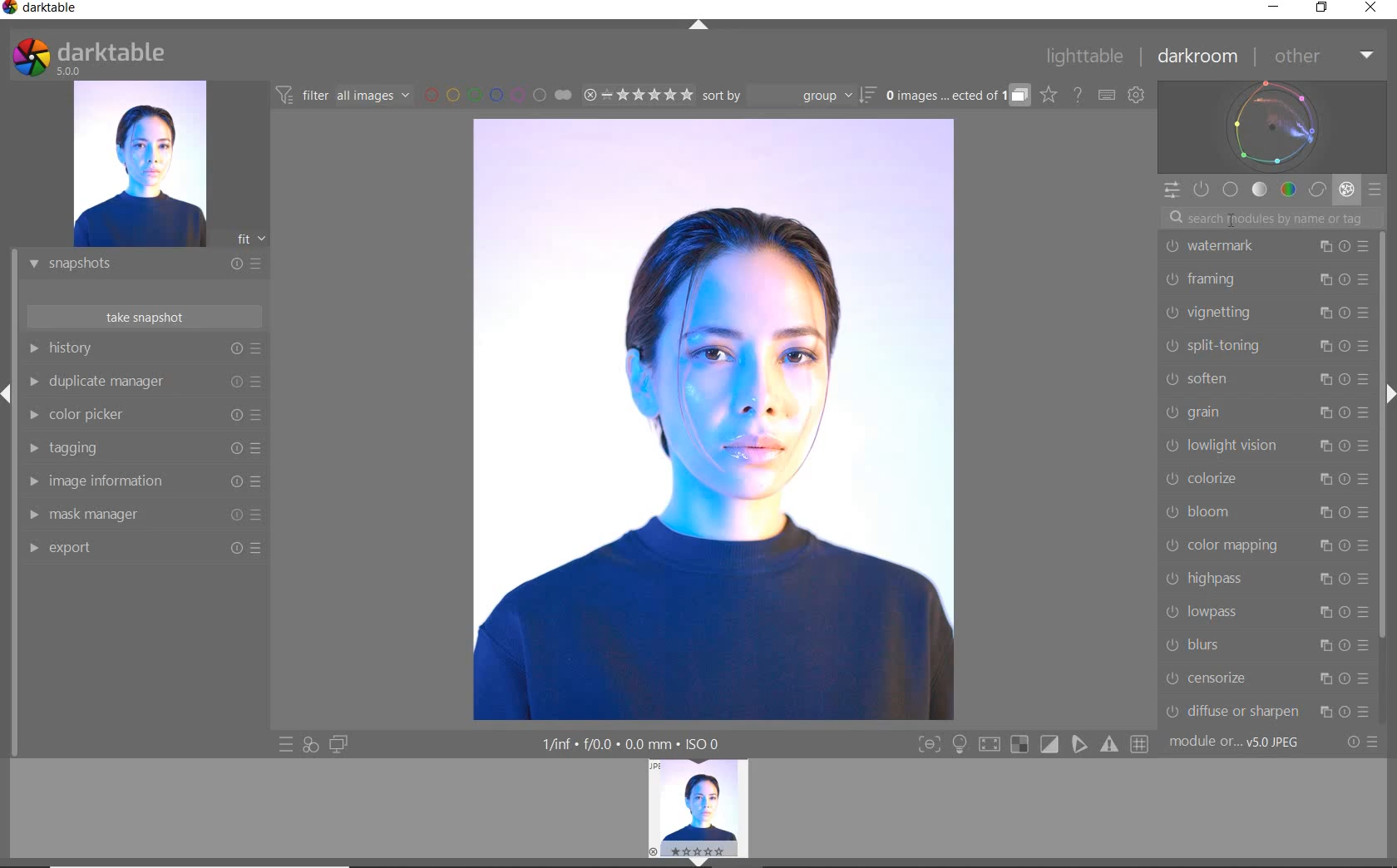 This screenshot has width=1397, height=868. What do you see at coordinates (1246, 742) in the screenshot?
I see `MODULE...v5.0 JPEG` at bounding box center [1246, 742].